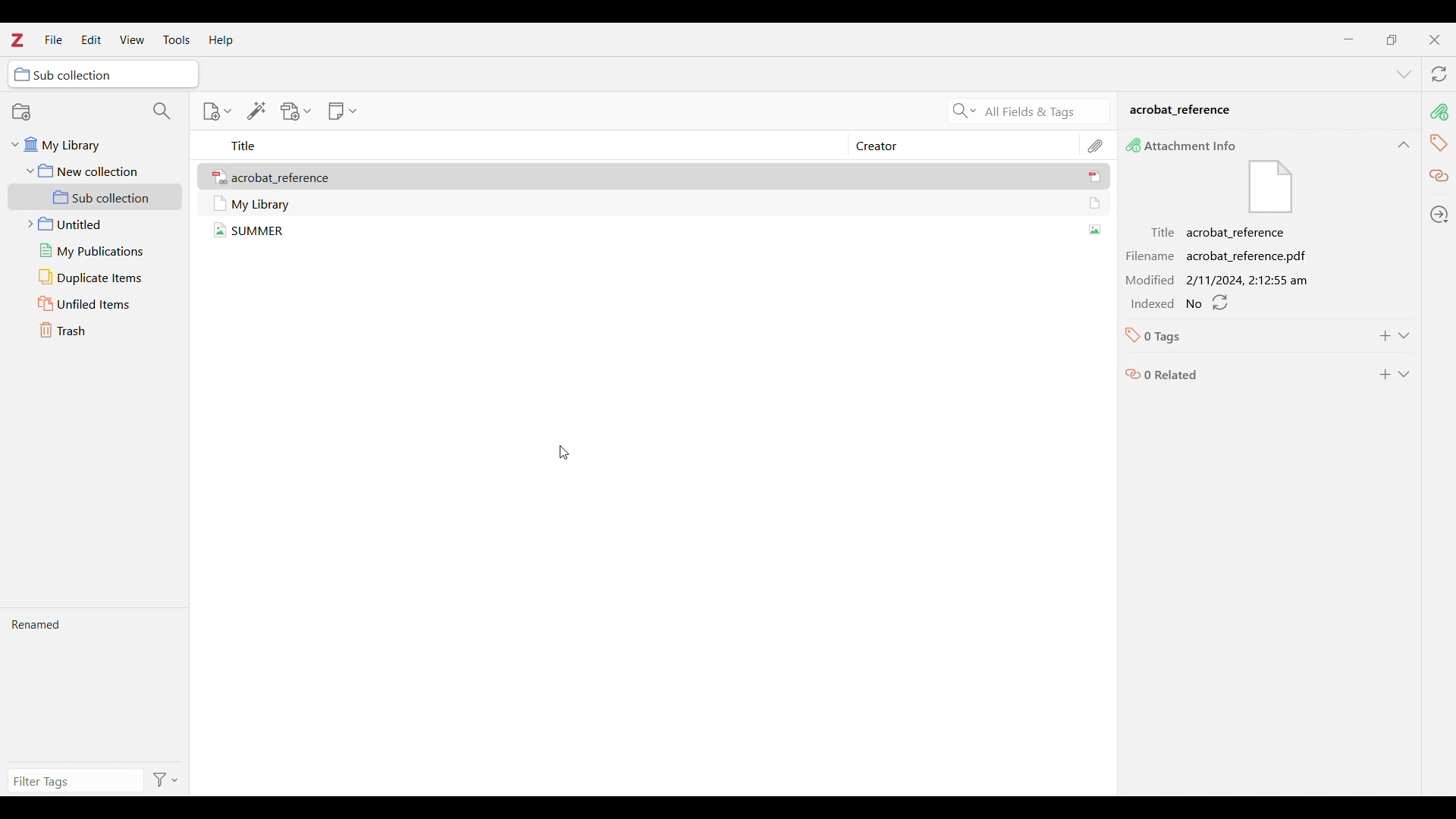  What do you see at coordinates (92, 39) in the screenshot?
I see `Edit menu` at bounding box center [92, 39].